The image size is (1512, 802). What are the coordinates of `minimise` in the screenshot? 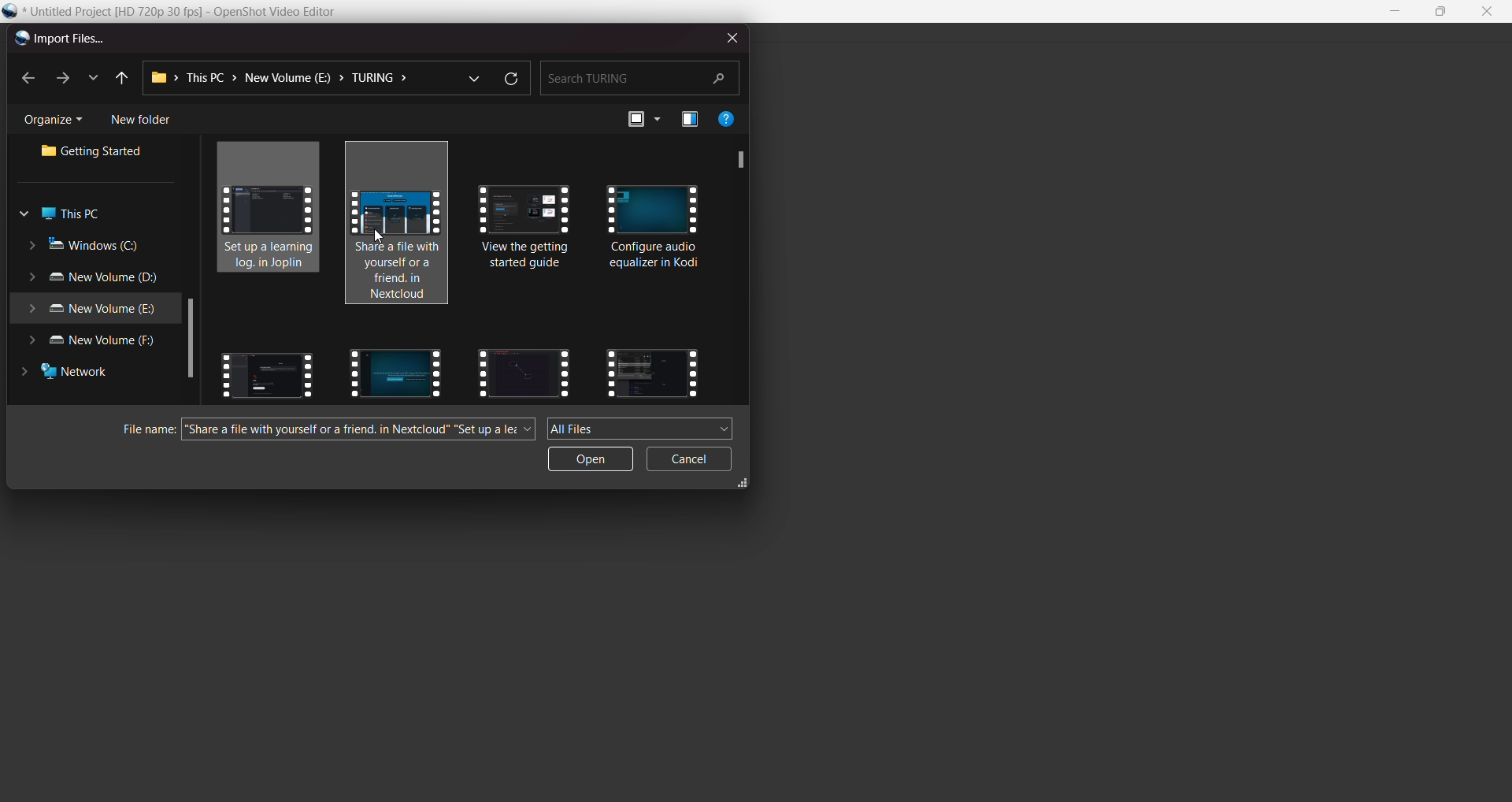 It's located at (1396, 12).